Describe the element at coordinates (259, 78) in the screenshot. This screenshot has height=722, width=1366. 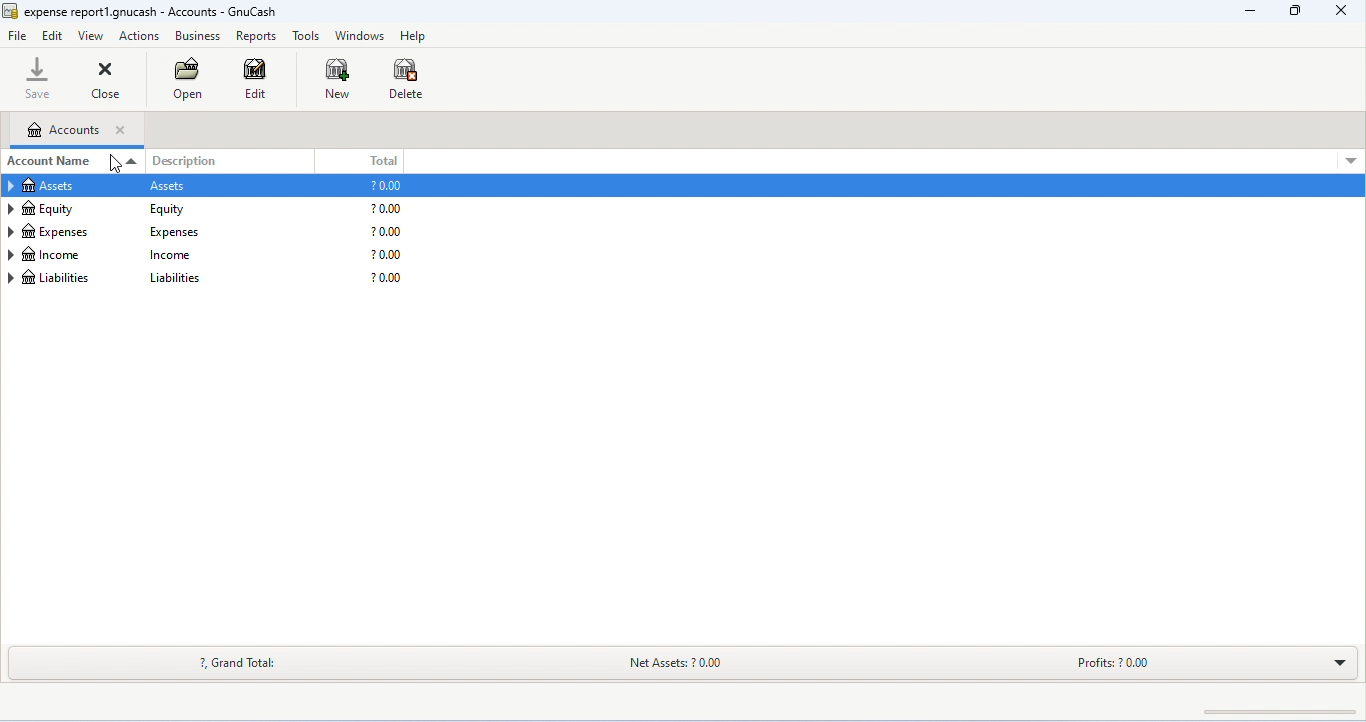
I see `edit` at that location.